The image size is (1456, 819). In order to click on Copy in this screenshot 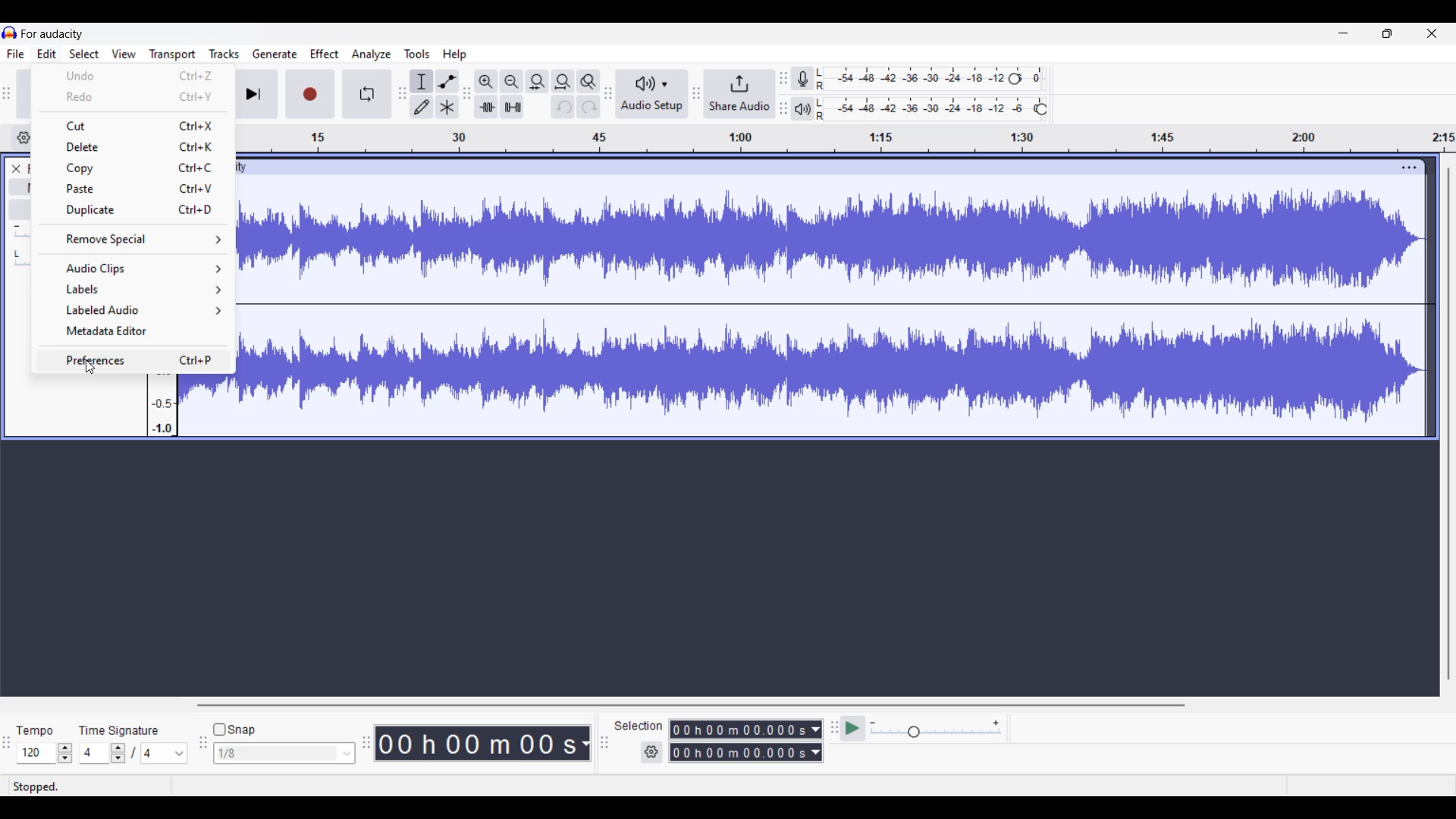, I will do `click(133, 169)`.